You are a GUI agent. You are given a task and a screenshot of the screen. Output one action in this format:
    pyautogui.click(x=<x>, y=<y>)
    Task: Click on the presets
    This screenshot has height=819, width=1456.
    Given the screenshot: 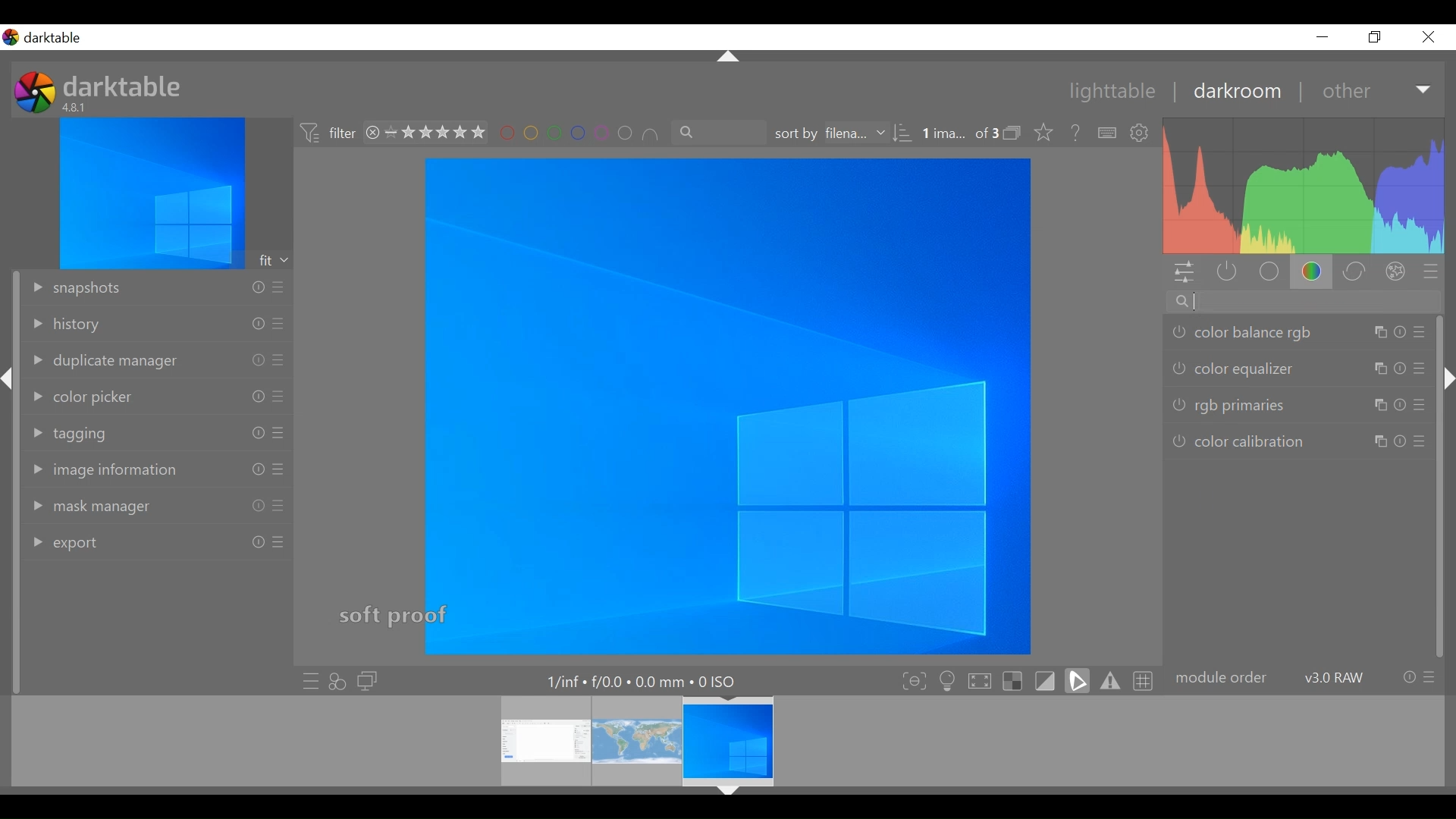 What is the action you would take?
    pyautogui.click(x=280, y=360)
    